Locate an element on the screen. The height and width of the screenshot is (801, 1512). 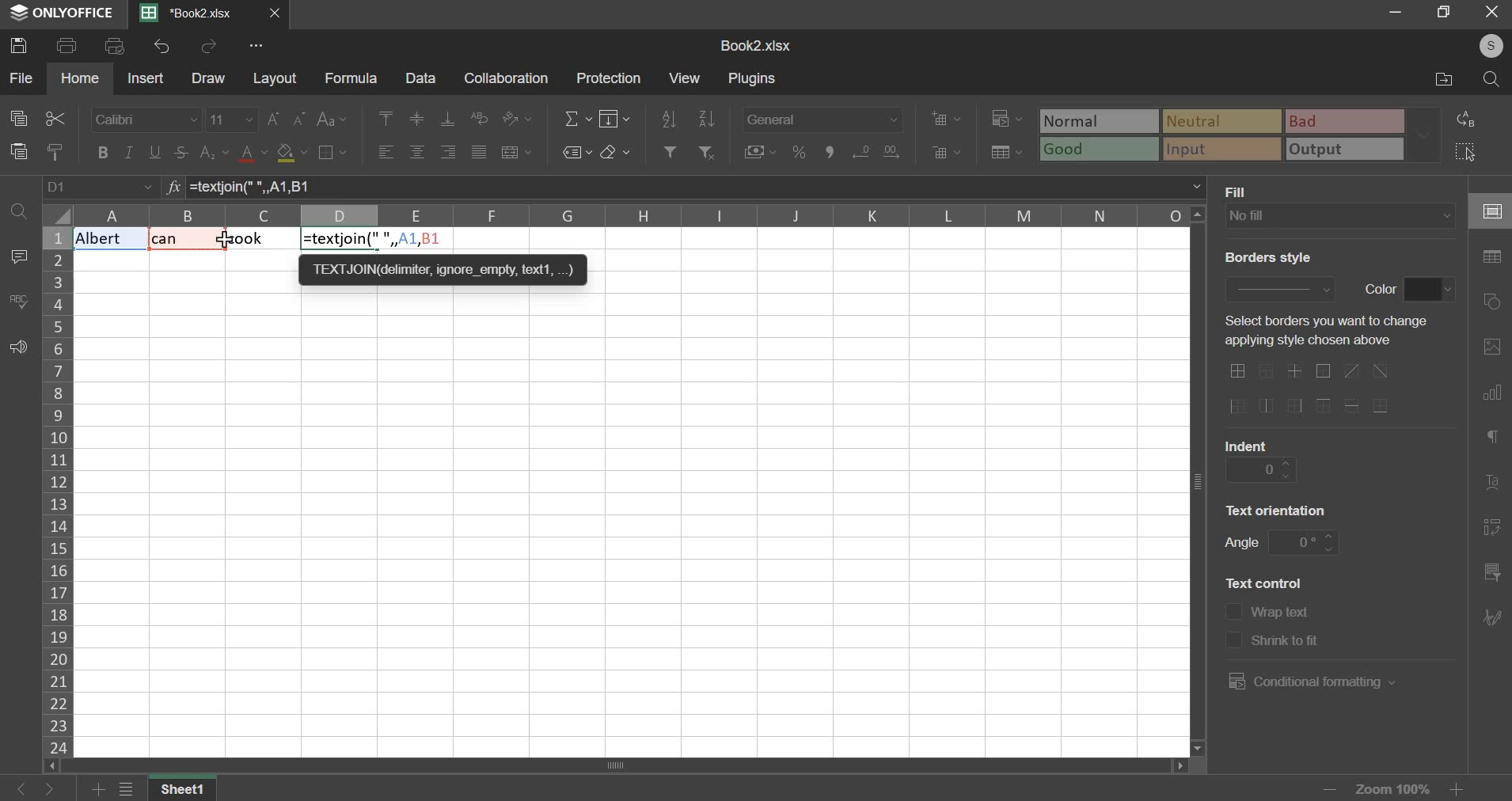
select is located at coordinates (1474, 152).